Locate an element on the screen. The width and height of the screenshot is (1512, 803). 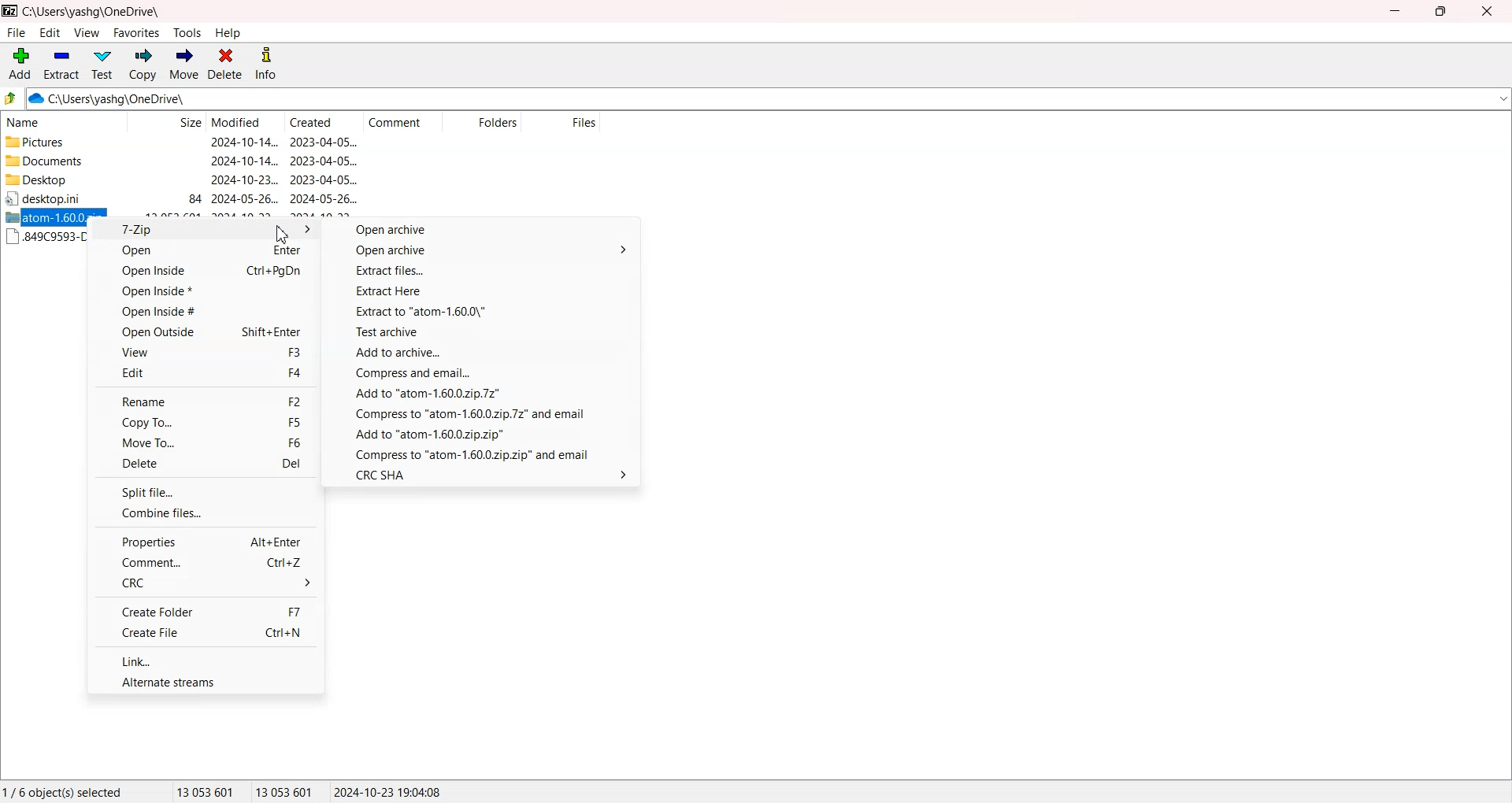
Add to archive is located at coordinates (484, 353).